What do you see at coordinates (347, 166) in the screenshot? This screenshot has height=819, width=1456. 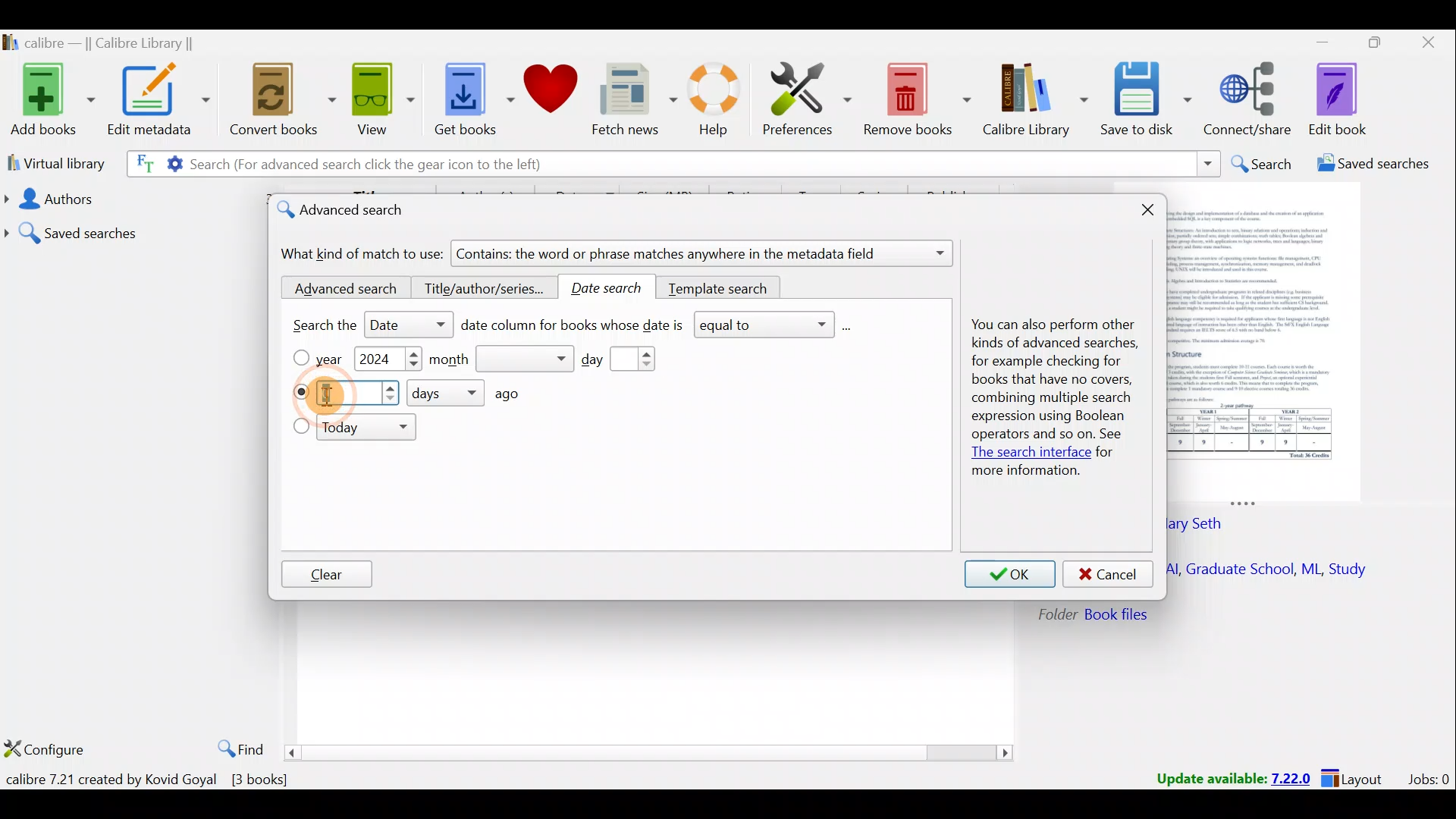 I see `Search (For advanced search click the gear icon to the left)` at bounding box center [347, 166].